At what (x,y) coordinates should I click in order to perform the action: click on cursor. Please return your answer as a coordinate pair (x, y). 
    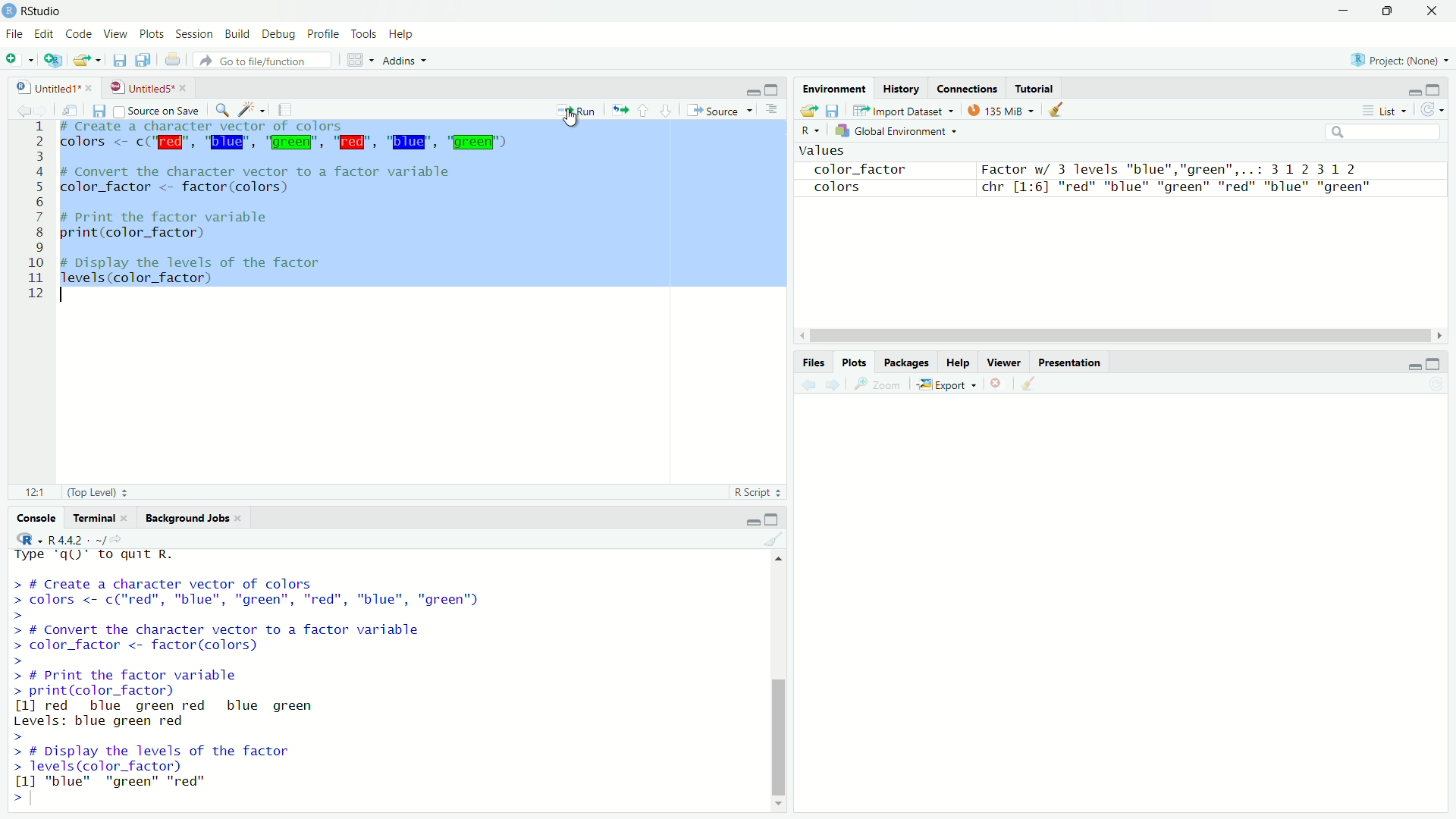
    Looking at the image, I should click on (566, 121).